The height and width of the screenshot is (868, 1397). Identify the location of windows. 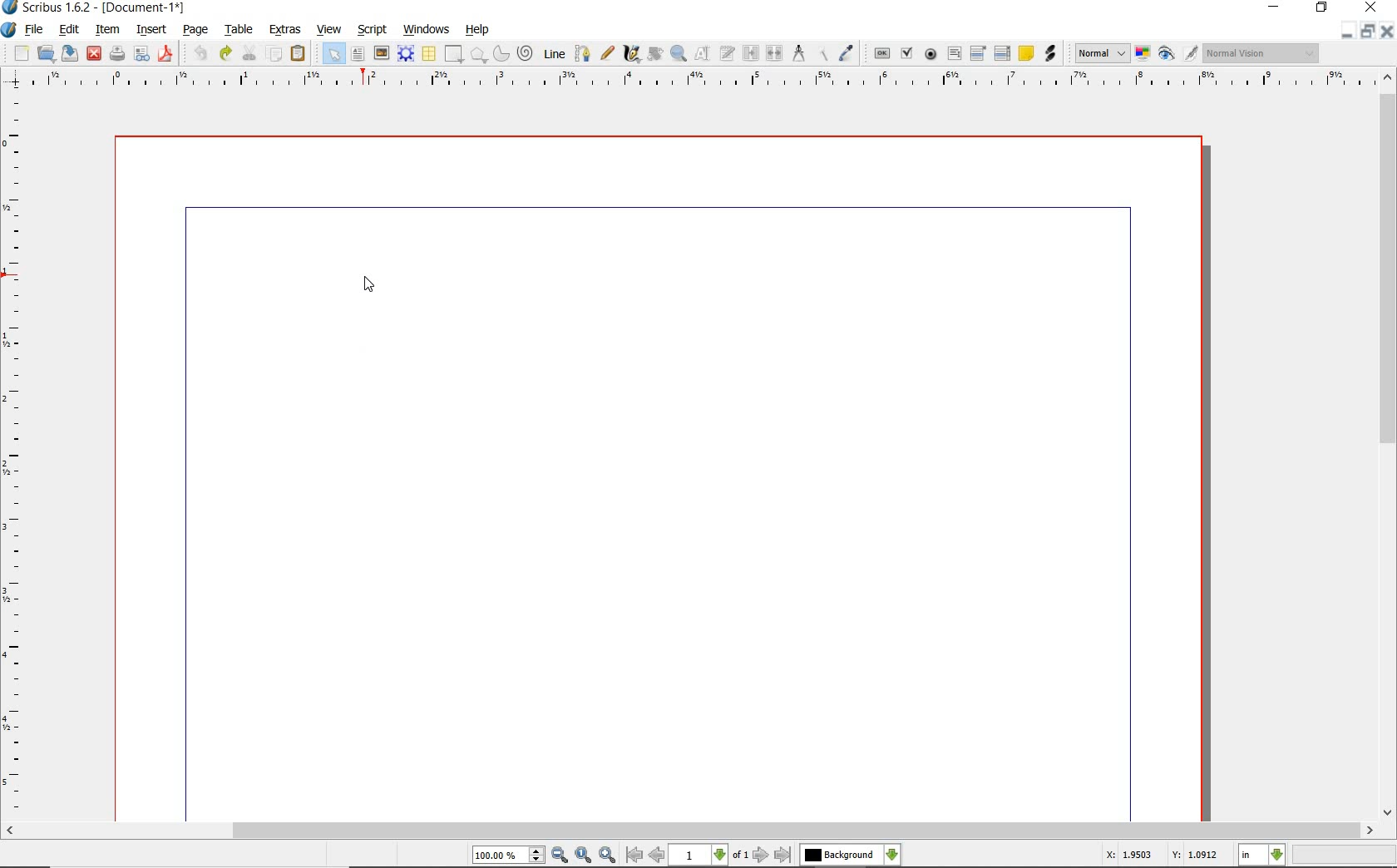
(426, 30).